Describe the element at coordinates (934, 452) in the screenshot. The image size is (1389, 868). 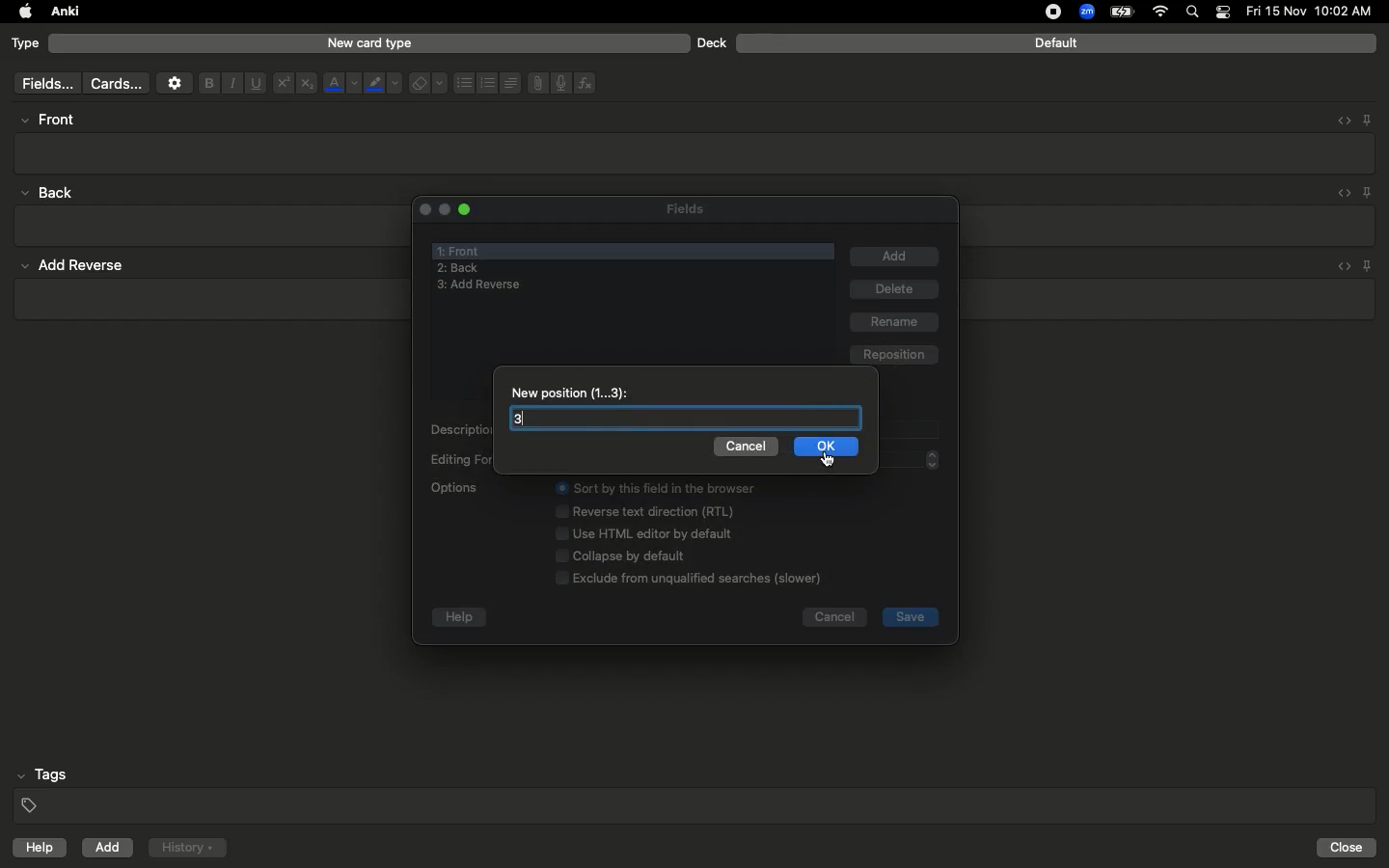
I see `page up` at that location.